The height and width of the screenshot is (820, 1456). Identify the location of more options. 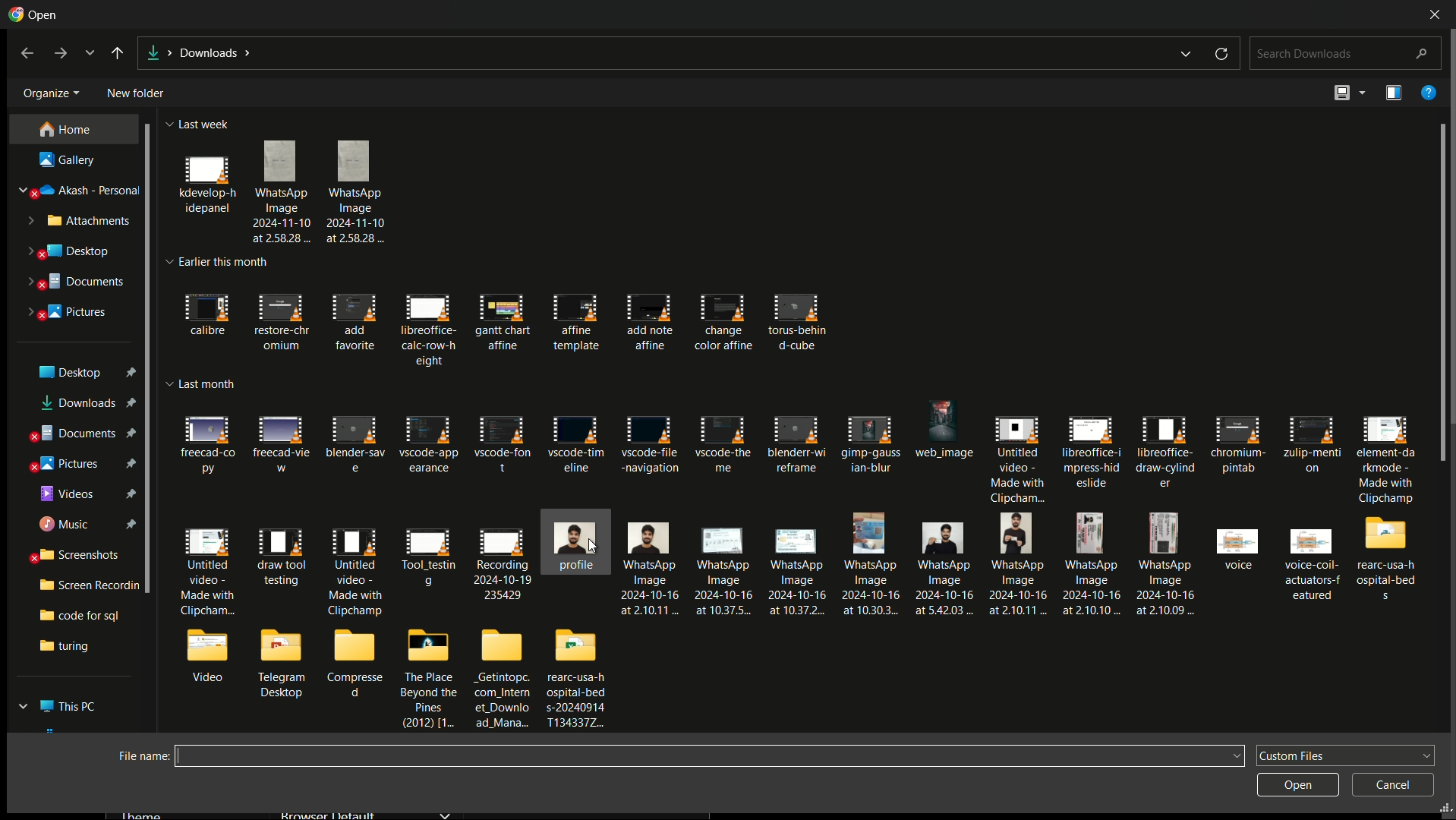
(1363, 93).